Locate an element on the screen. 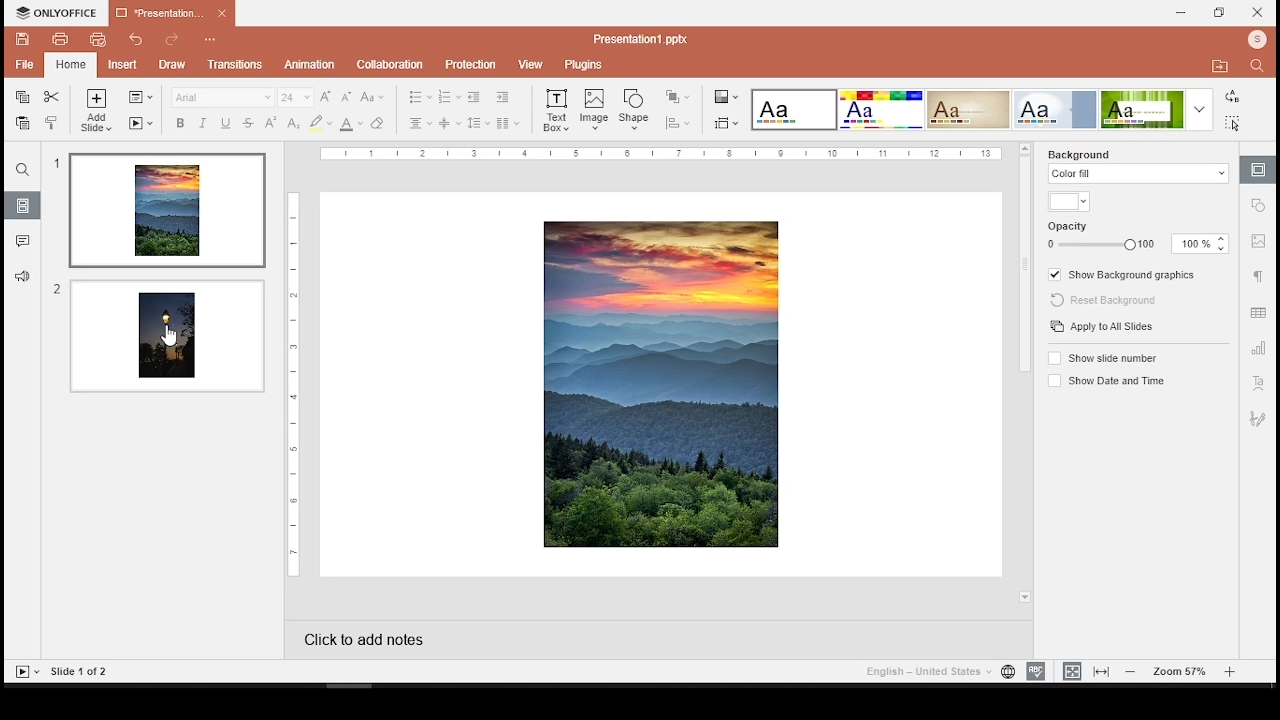  insert is located at coordinates (116, 65).